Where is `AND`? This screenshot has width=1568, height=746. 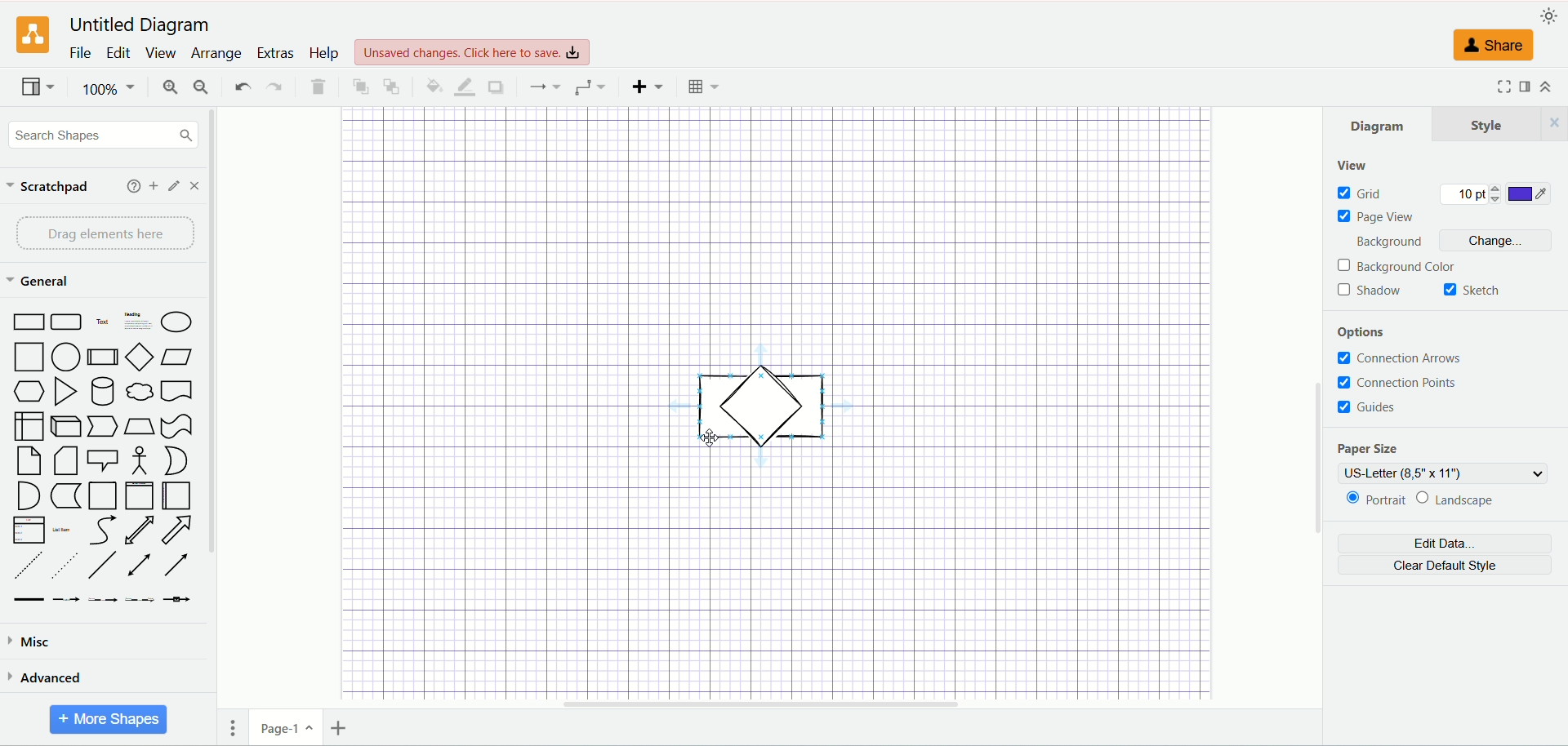 AND is located at coordinates (28, 496).